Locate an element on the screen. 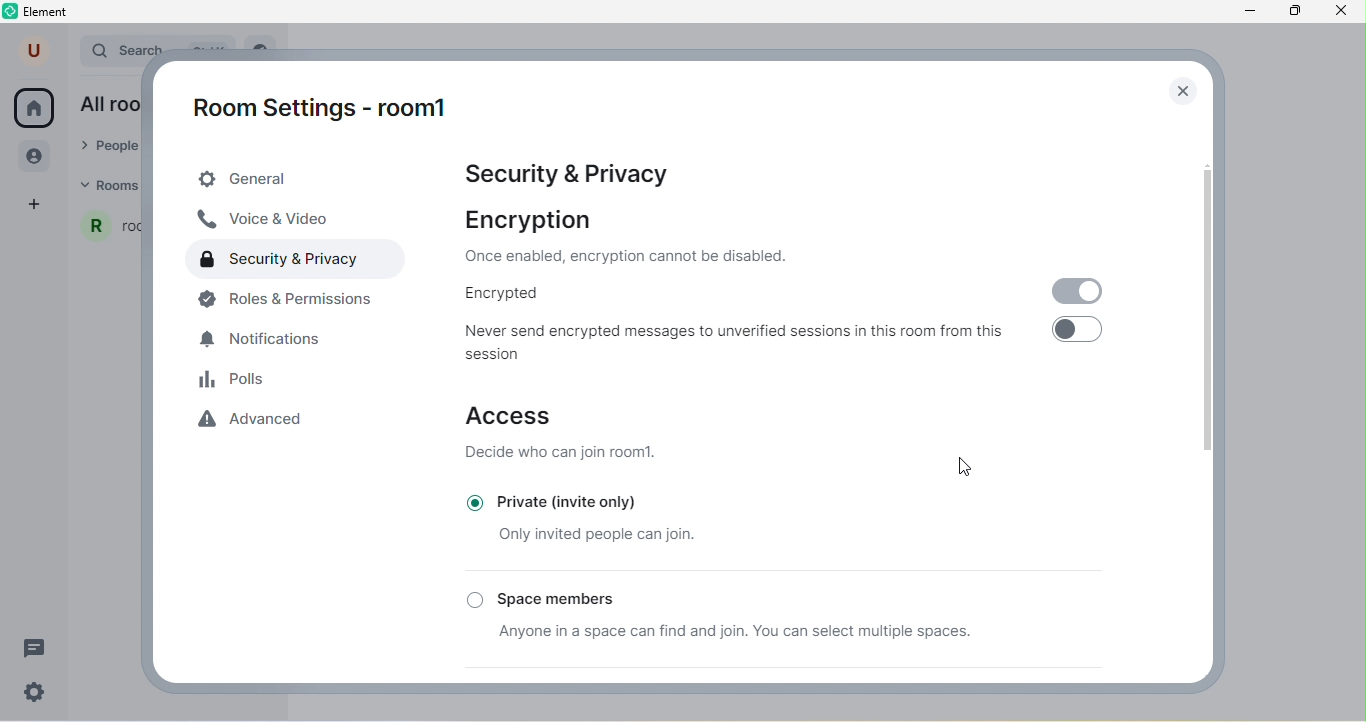 Image resolution: width=1366 pixels, height=722 pixels. element is located at coordinates (39, 13).